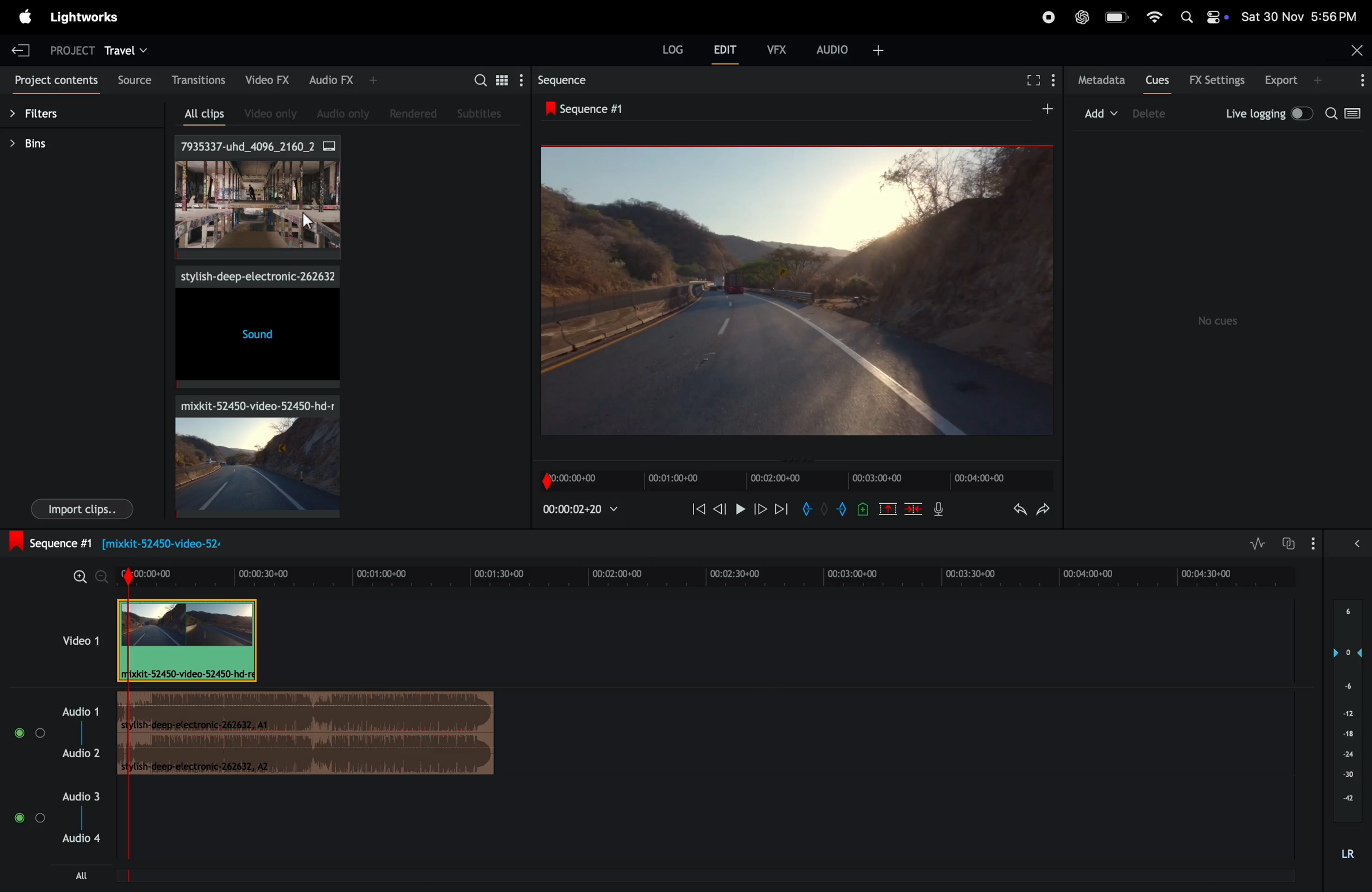 Image resolution: width=1372 pixels, height=892 pixels. What do you see at coordinates (915, 509) in the screenshot?
I see `delete` at bounding box center [915, 509].